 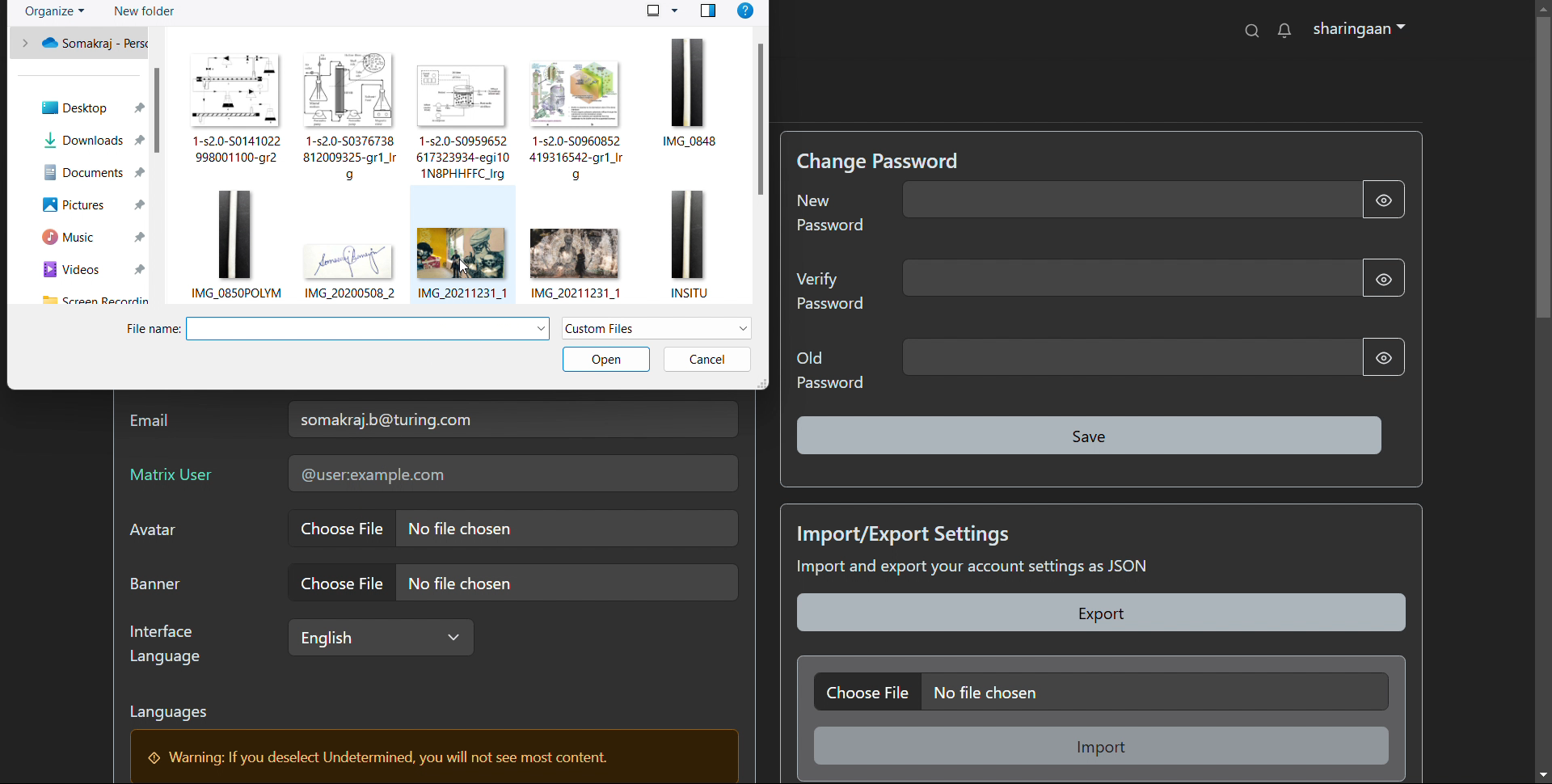 What do you see at coordinates (830, 295) in the screenshot?
I see `Verify Password` at bounding box center [830, 295].